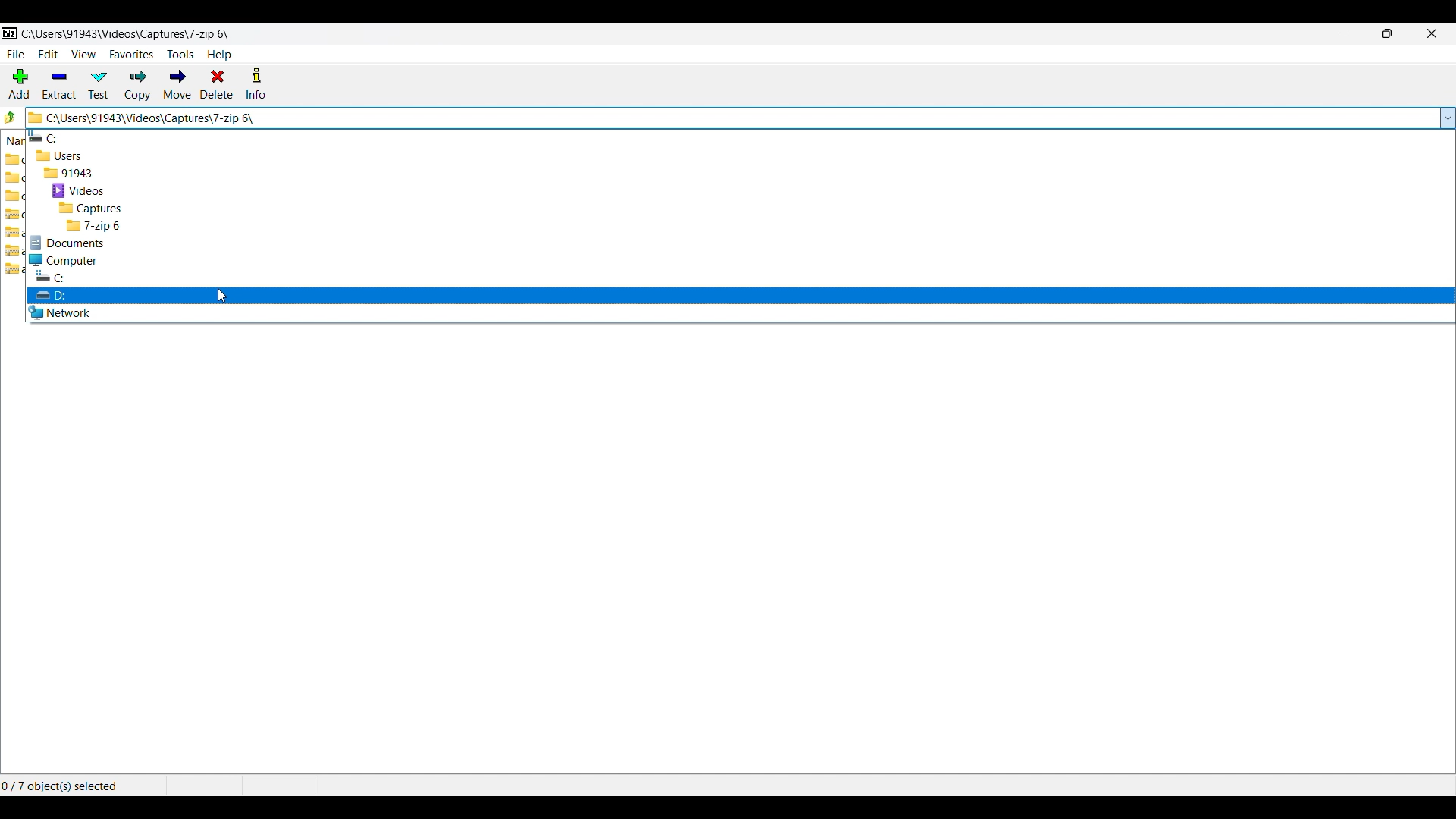 The image size is (1456, 819). I want to click on Extract, so click(60, 85).